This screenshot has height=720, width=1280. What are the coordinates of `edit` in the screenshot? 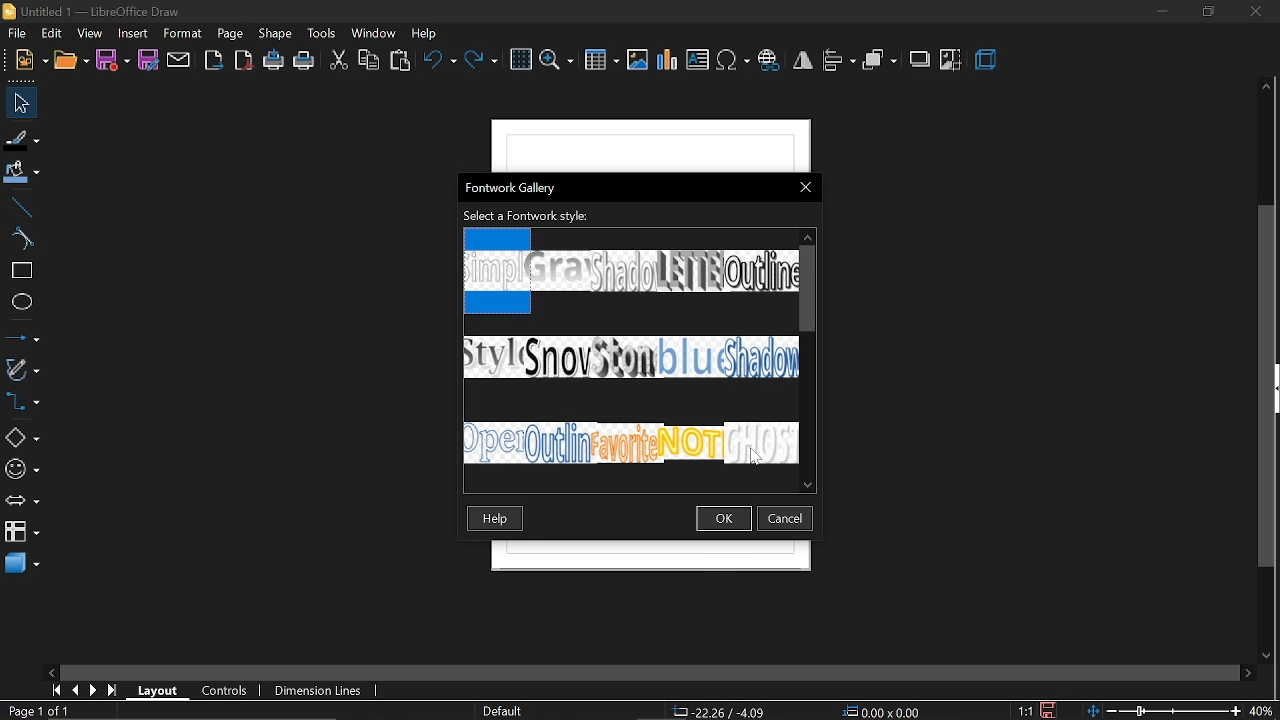 It's located at (53, 34).